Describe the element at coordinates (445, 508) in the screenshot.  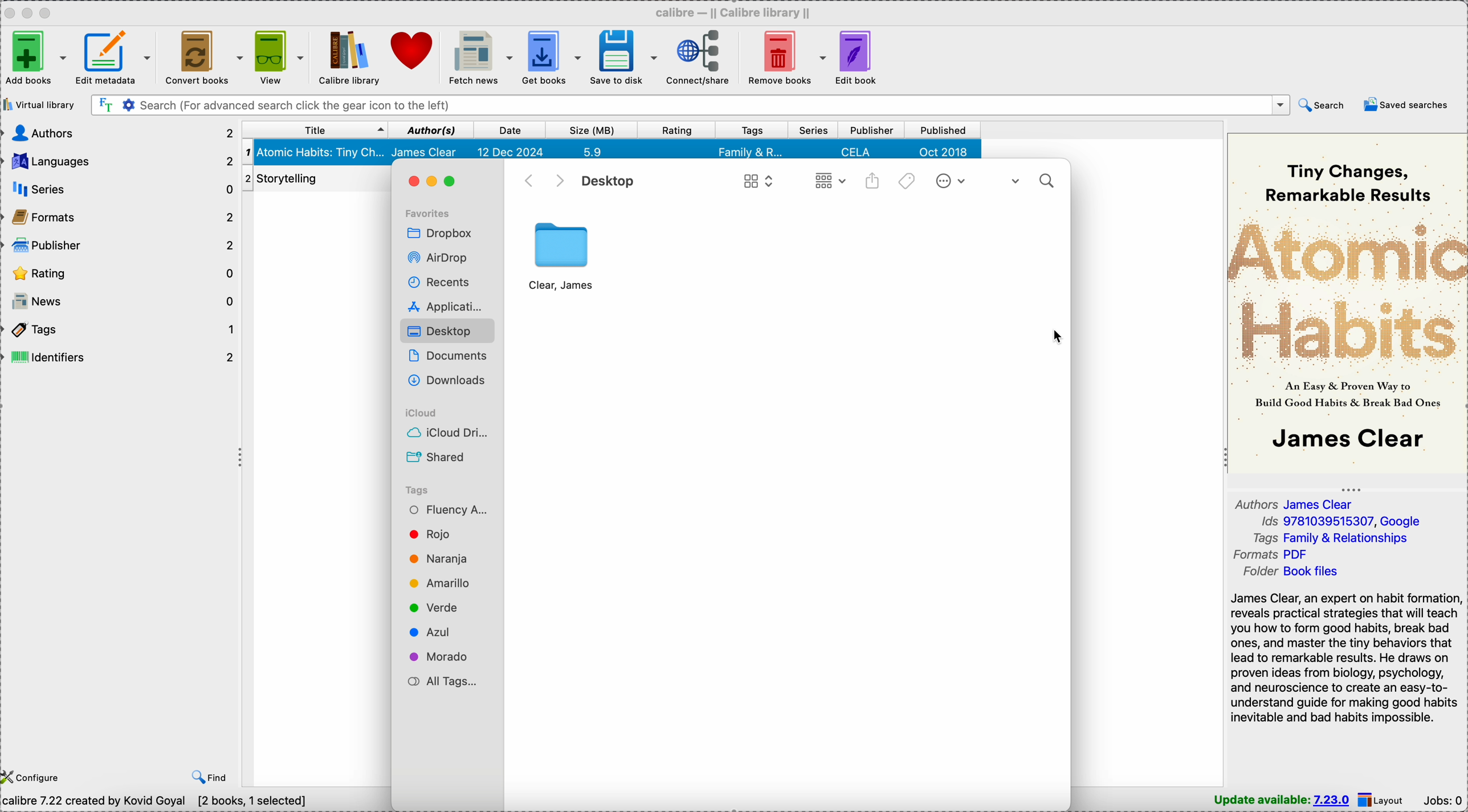
I see `Fluency Academy tag` at that location.